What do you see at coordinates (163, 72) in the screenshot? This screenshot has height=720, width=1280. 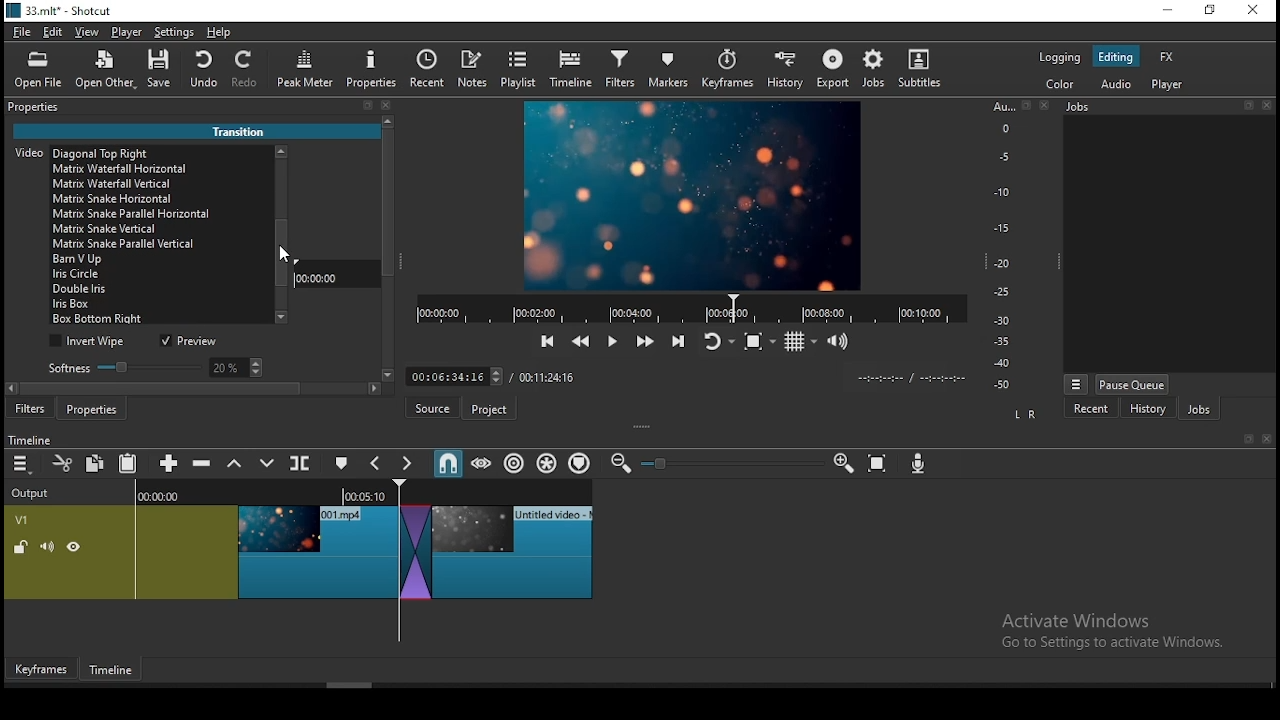 I see `save` at bounding box center [163, 72].